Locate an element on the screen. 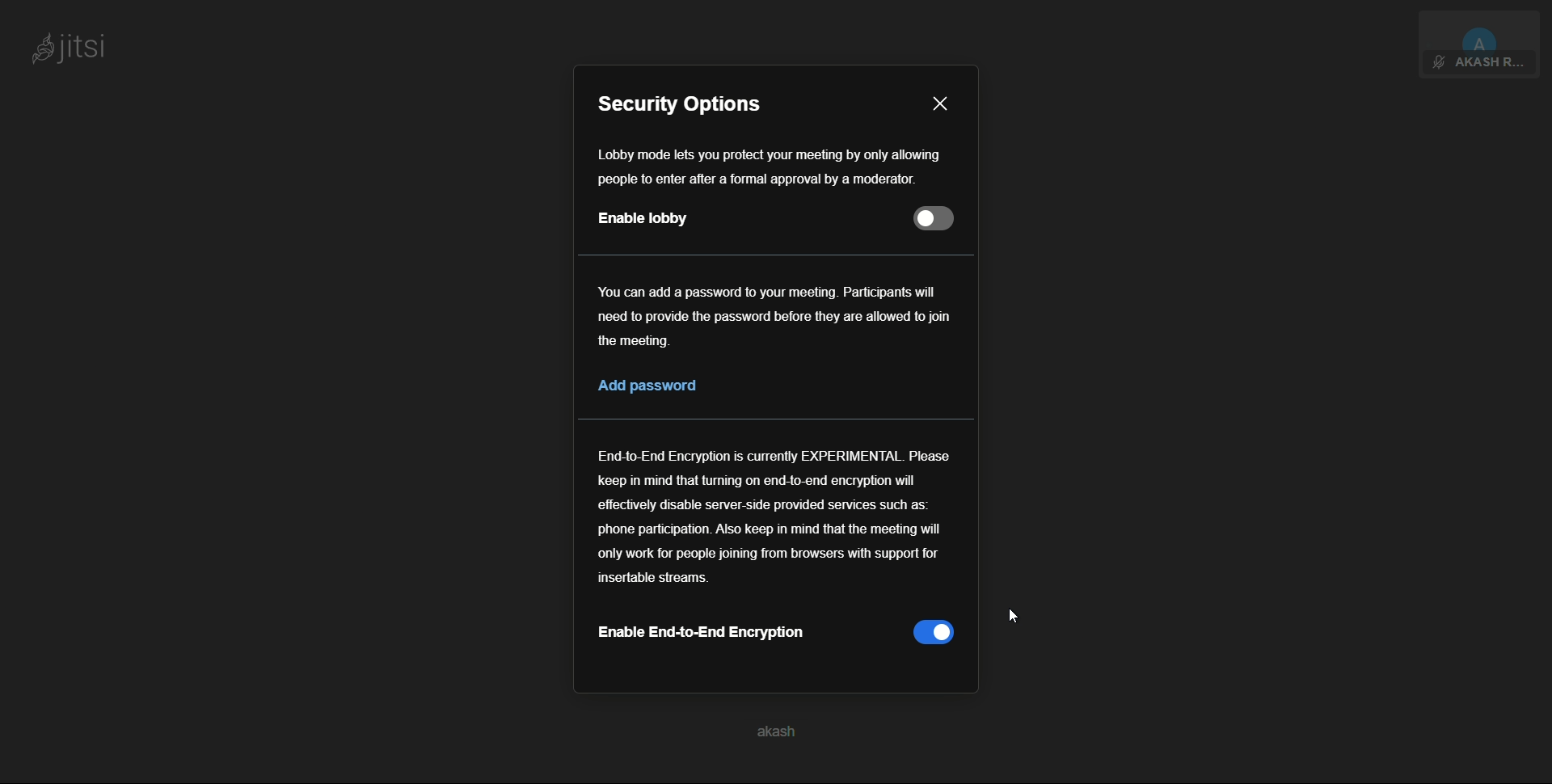 This screenshot has width=1552, height=784. Security Options is located at coordinates (688, 103).